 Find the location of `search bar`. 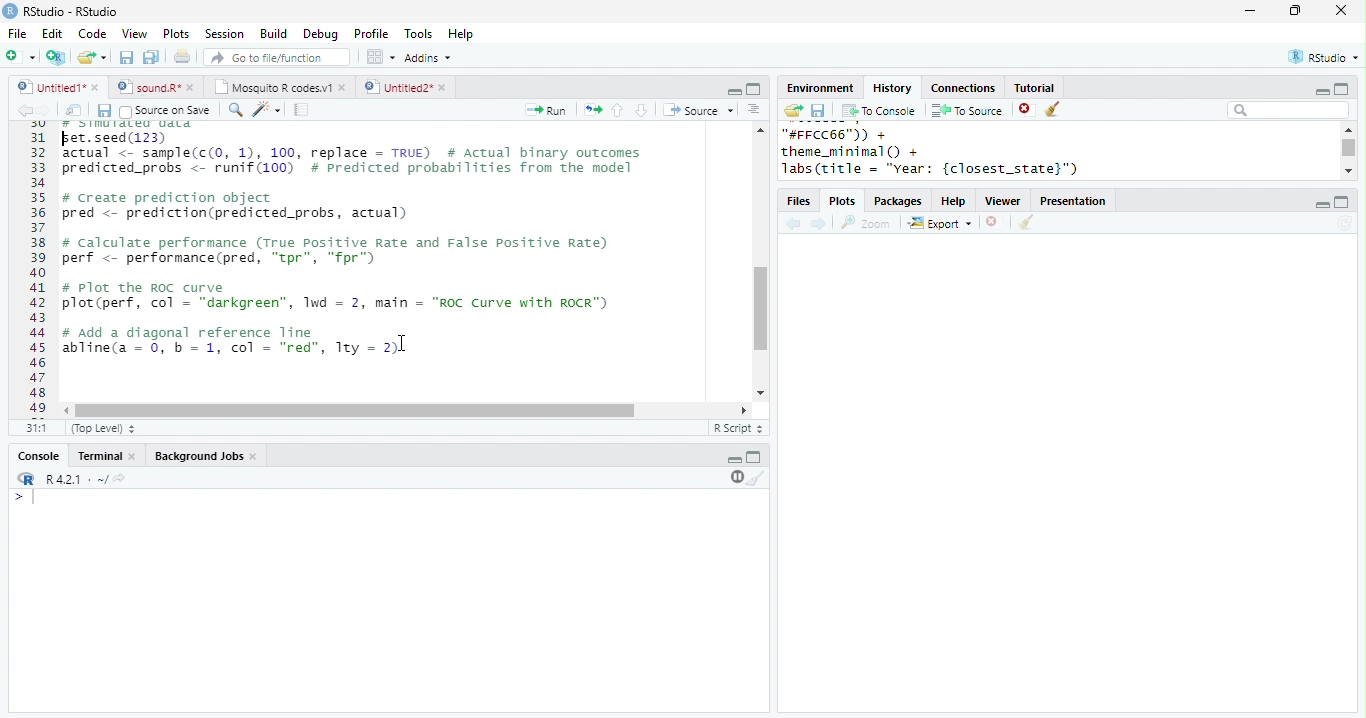

search bar is located at coordinates (1288, 109).